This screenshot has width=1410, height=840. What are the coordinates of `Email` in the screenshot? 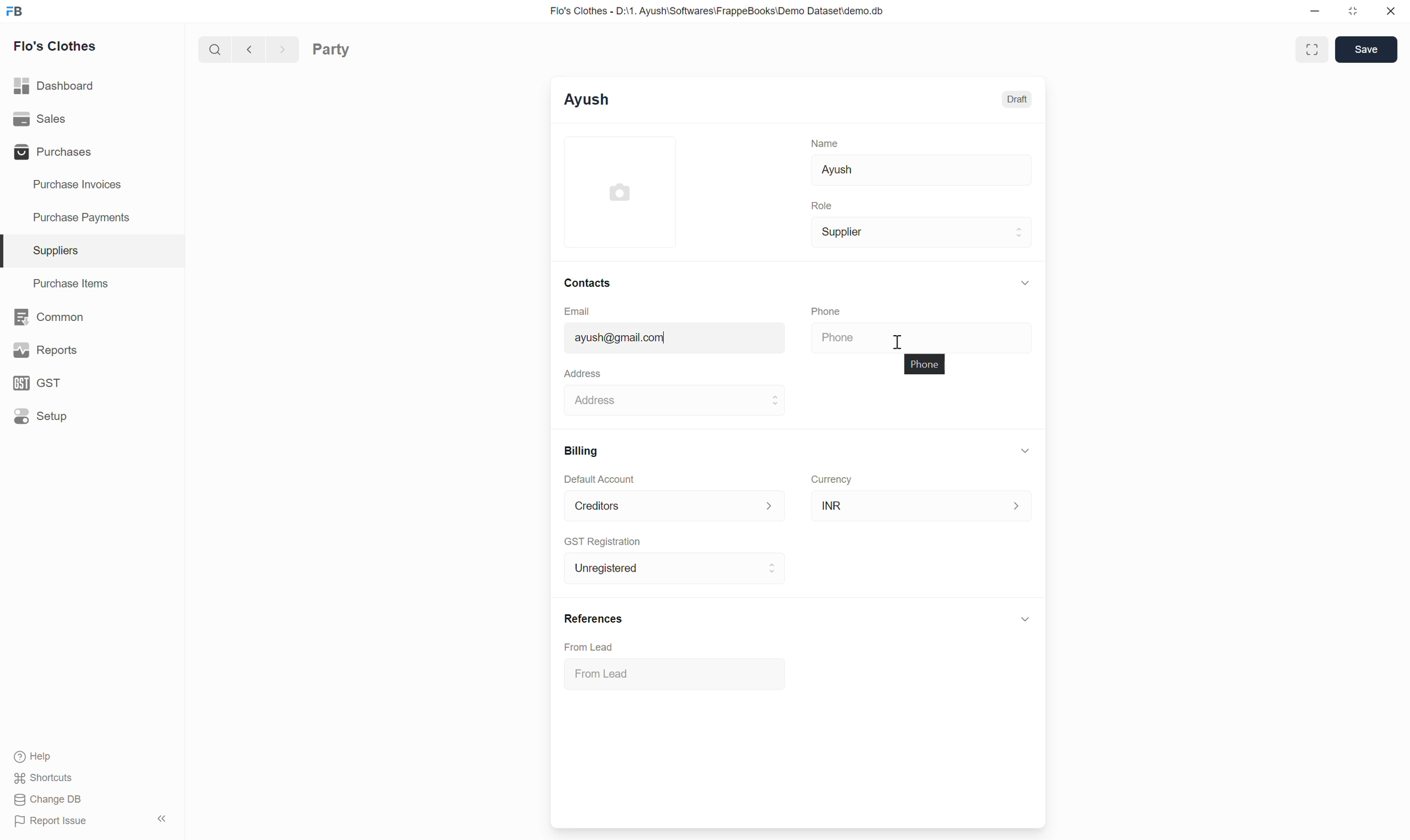 It's located at (577, 311).